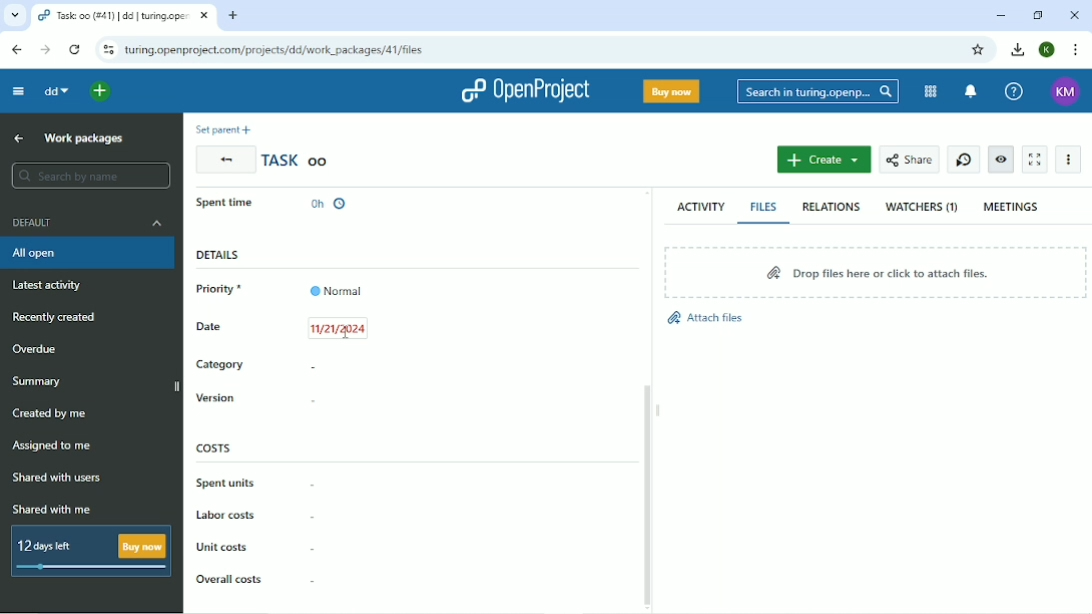 The height and width of the screenshot is (614, 1092). I want to click on Summary, so click(41, 380).